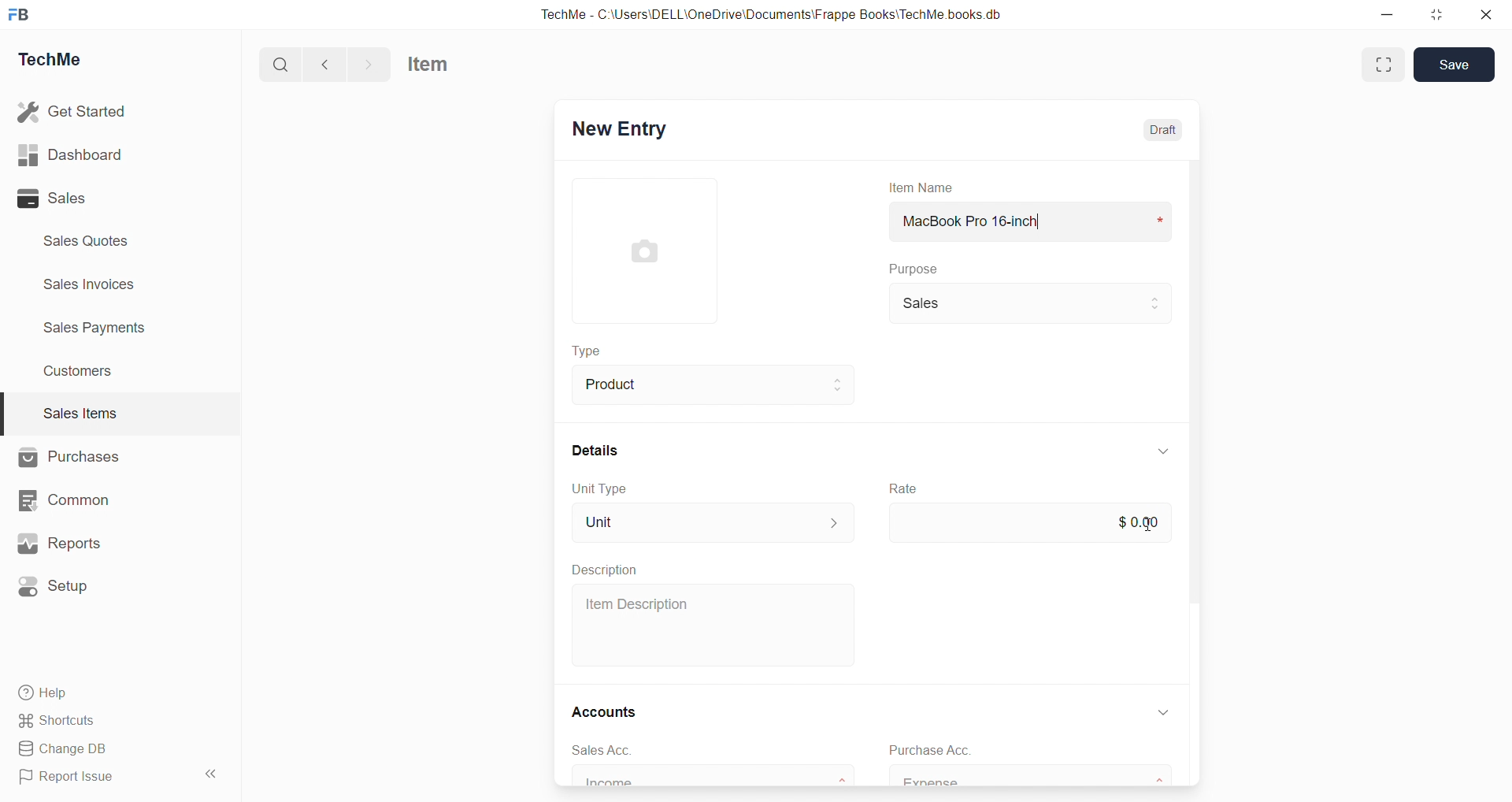  What do you see at coordinates (60, 721) in the screenshot?
I see `Shortcuts` at bounding box center [60, 721].